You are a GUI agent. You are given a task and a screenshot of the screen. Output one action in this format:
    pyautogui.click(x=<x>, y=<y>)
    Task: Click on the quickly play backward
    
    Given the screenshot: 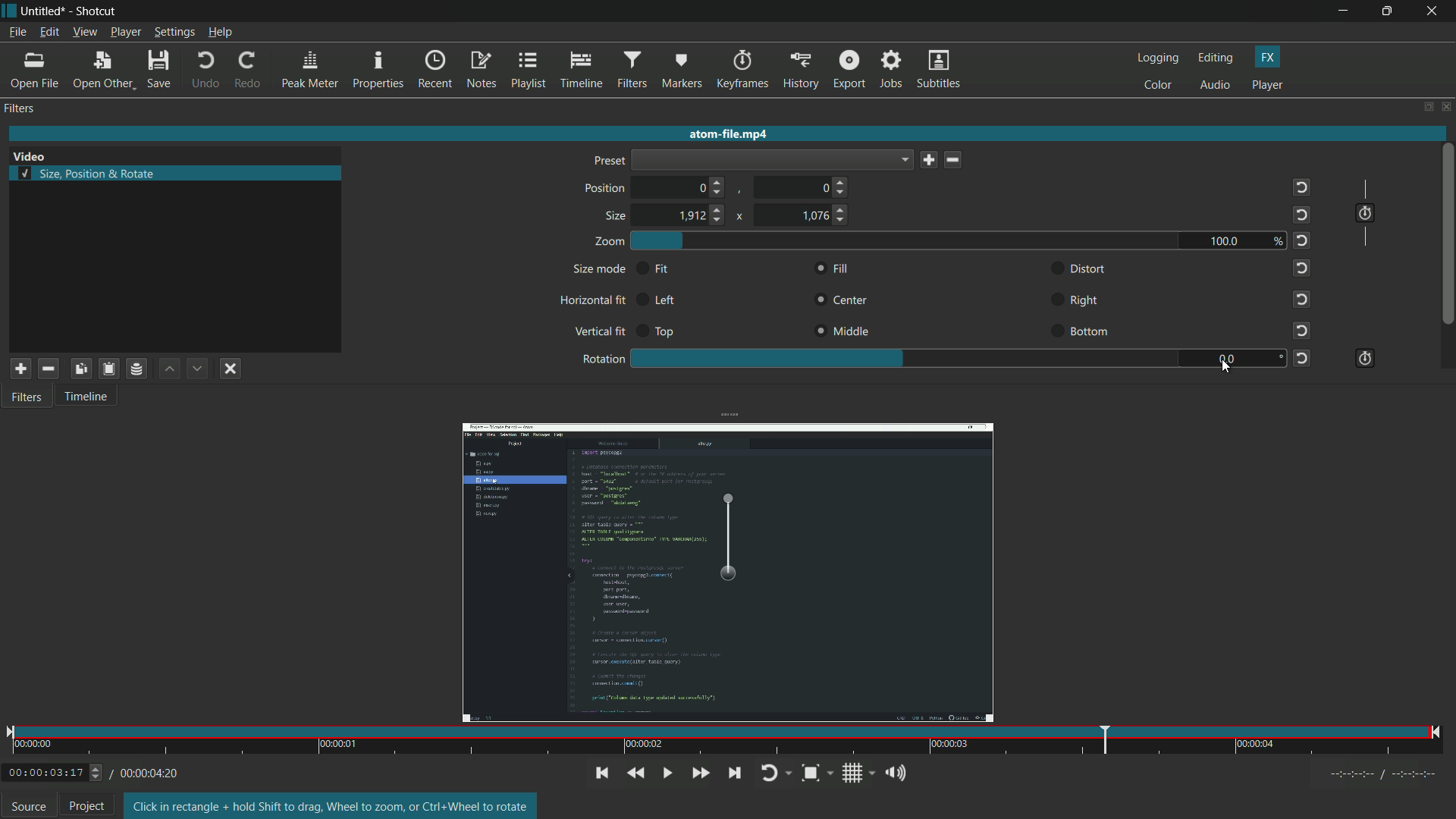 What is the action you would take?
    pyautogui.click(x=638, y=773)
    